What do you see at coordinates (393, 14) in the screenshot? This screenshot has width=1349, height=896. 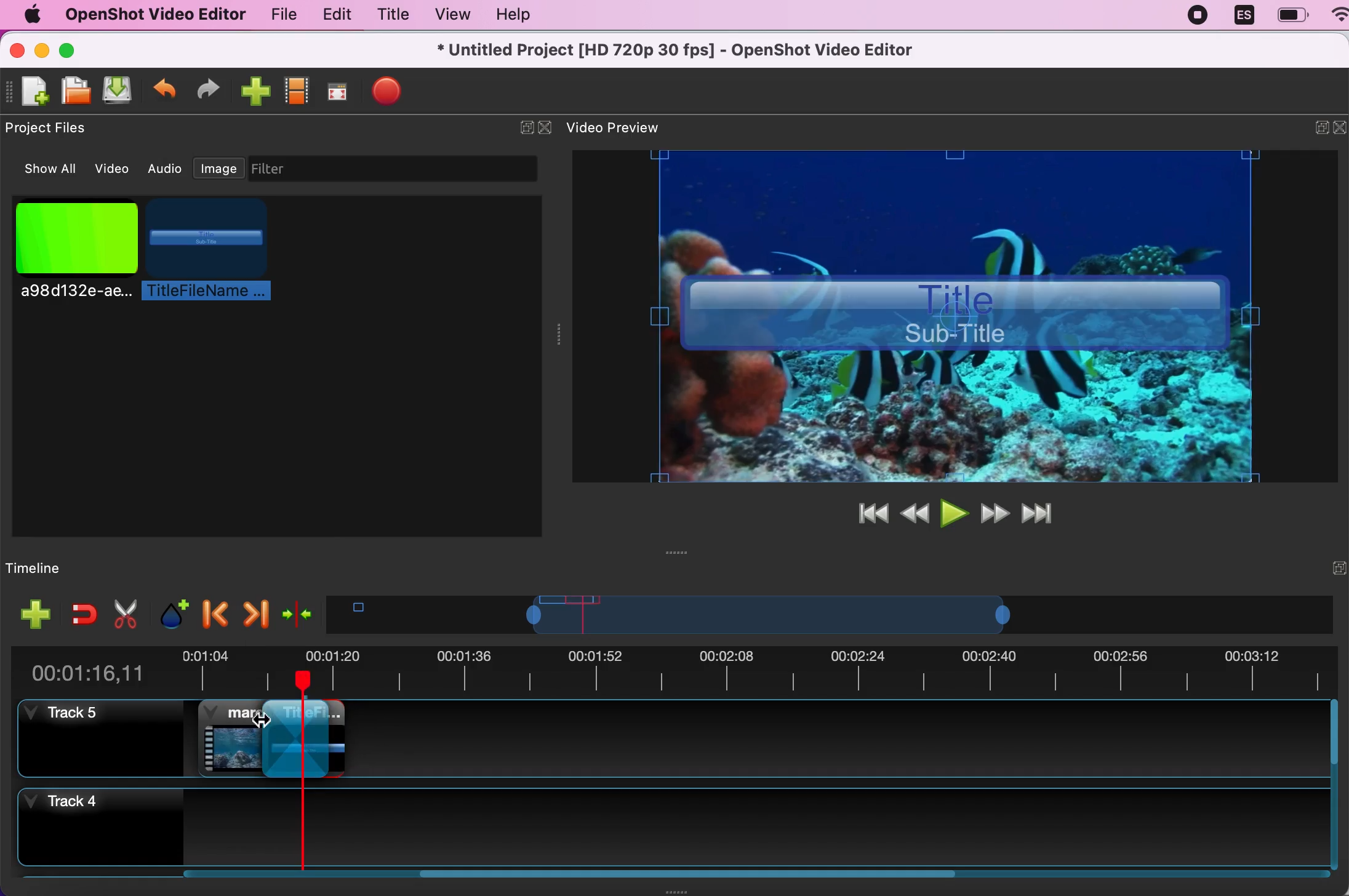 I see `title` at bounding box center [393, 14].